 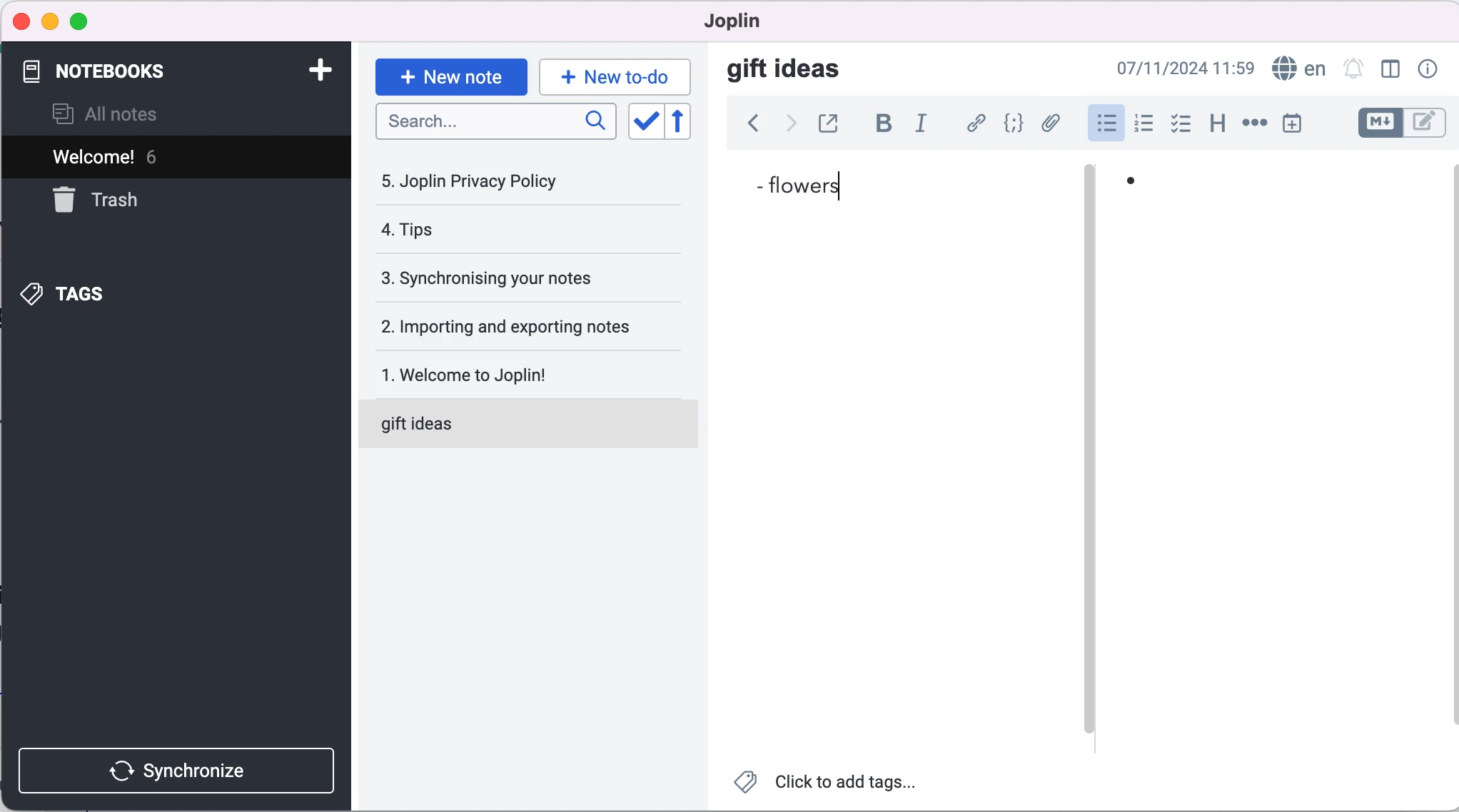 What do you see at coordinates (1390, 70) in the screenshot?
I see `toggle editor layout` at bounding box center [1390, 70].